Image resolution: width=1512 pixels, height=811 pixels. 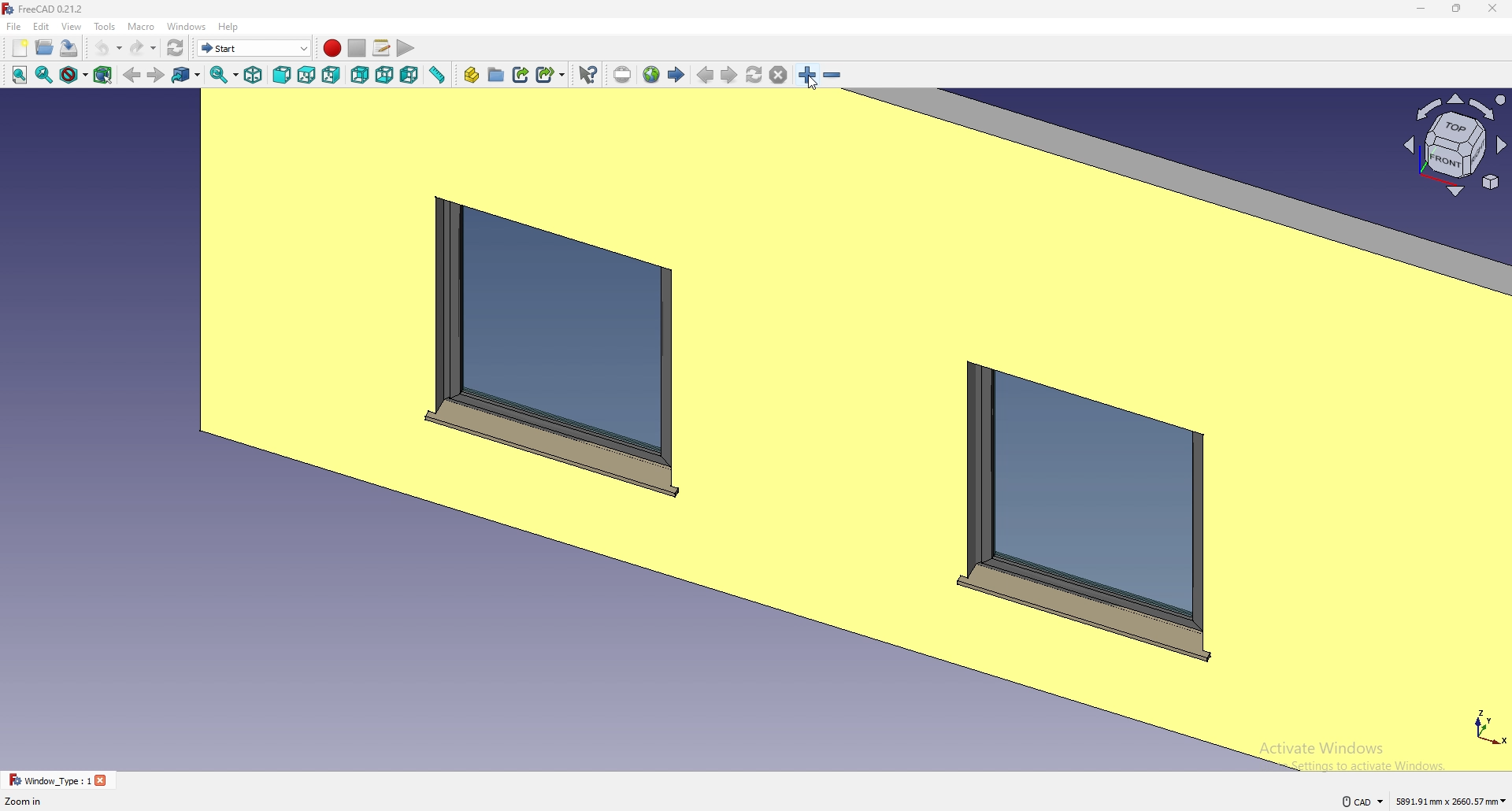 What do you see at coordinates (42, 9) in the screenshot?
I see `freeCAD` at bounding box center [42, 9].